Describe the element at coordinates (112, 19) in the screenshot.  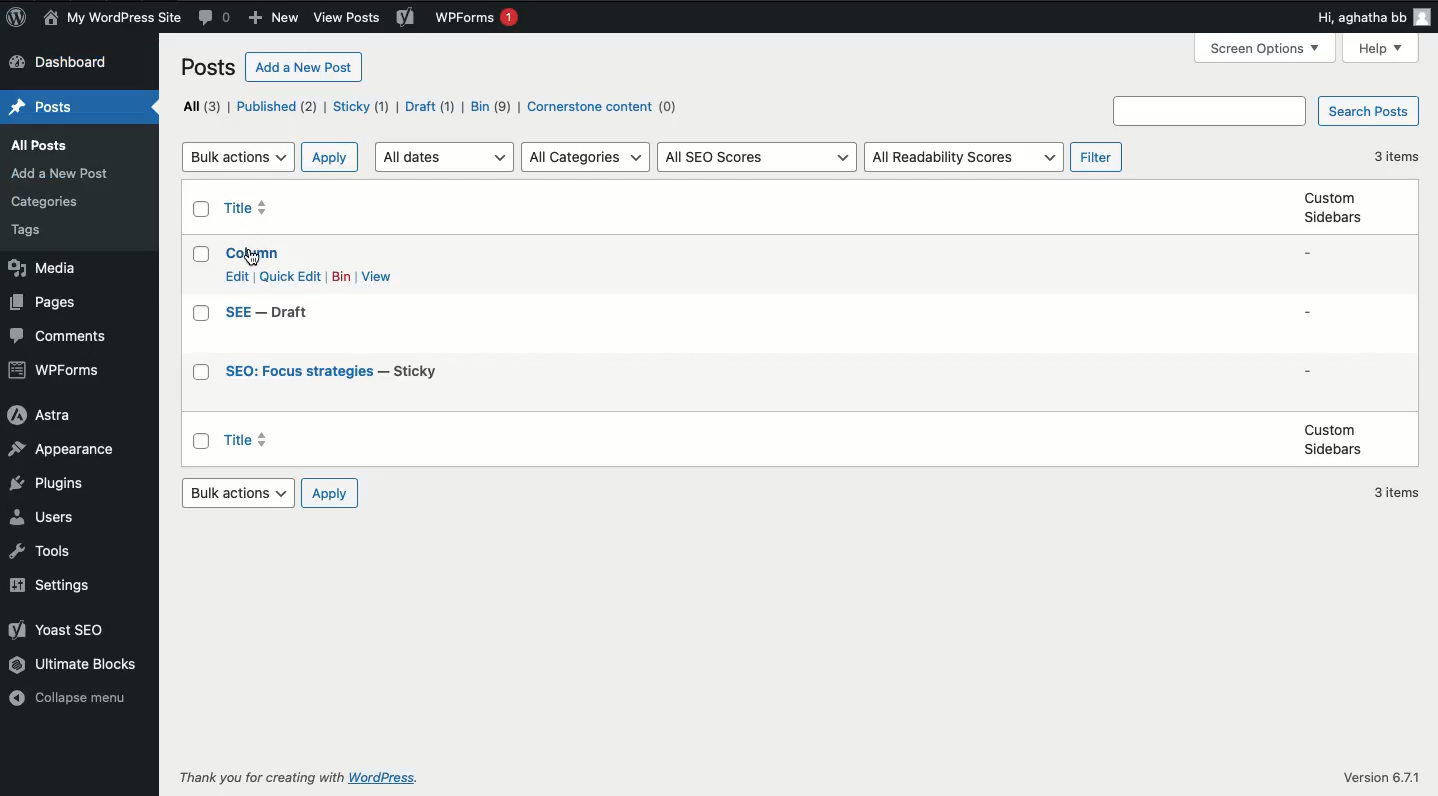
I see `Name` at that location.